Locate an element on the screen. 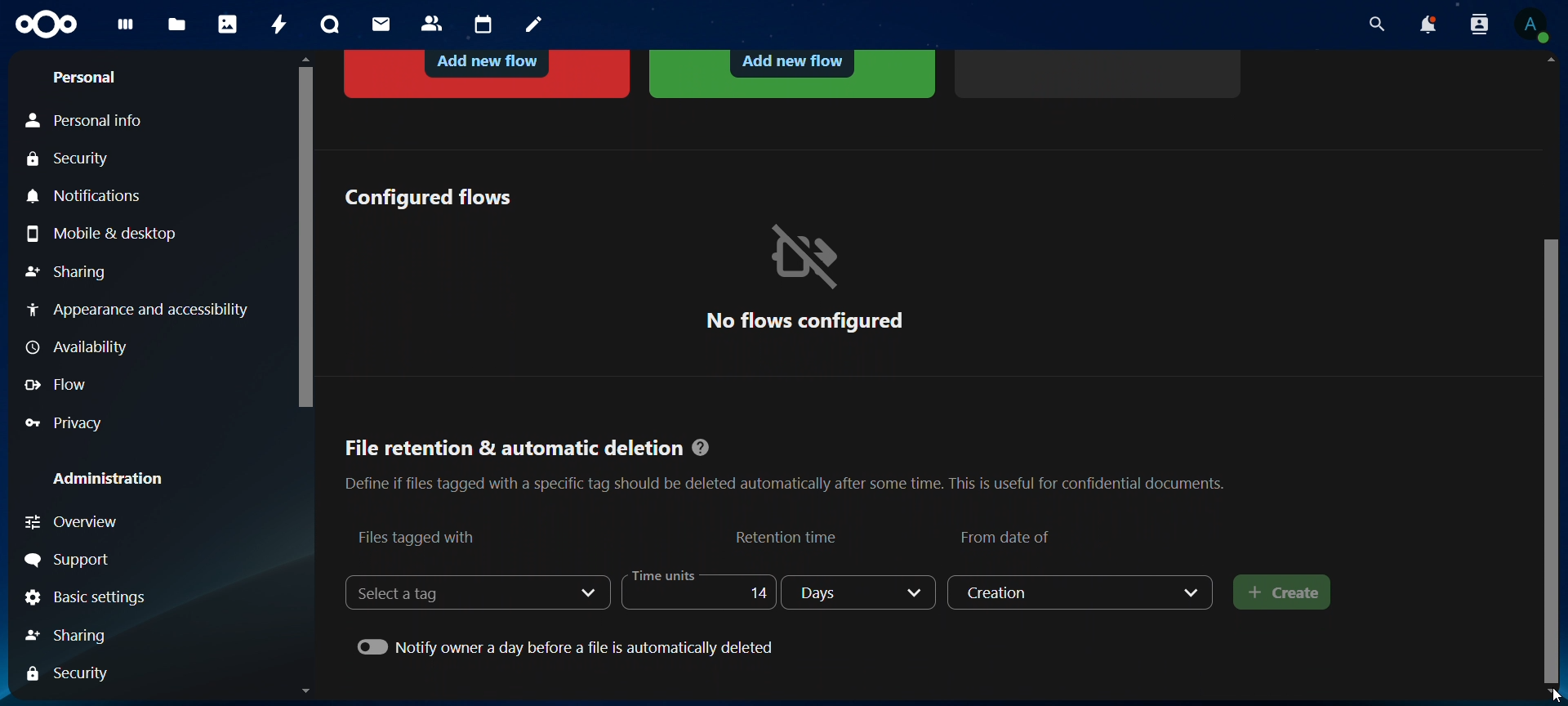  basic settings is located at coordinates (87, 599).